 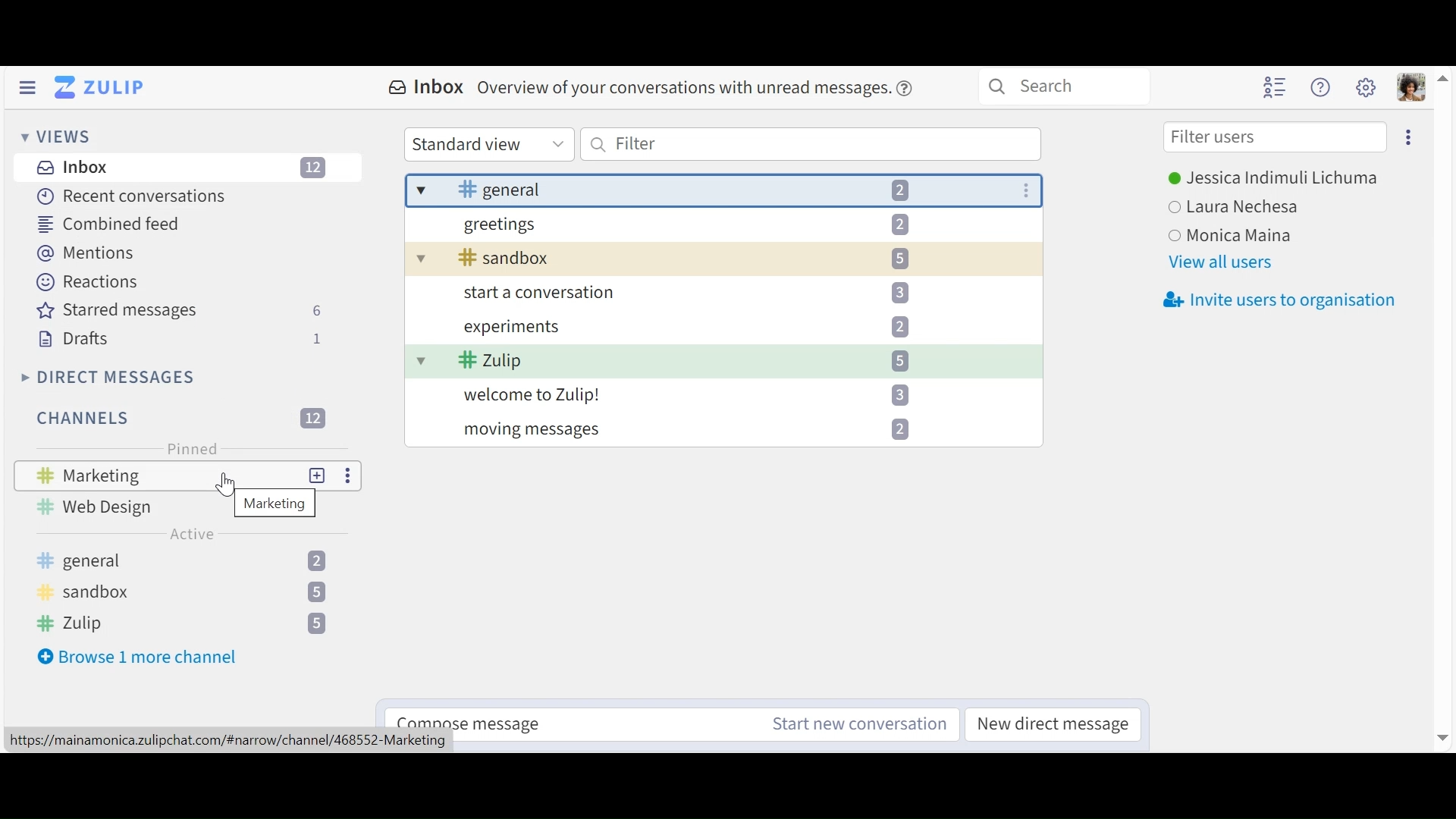 I want to click on Browse more channel, so click(x=137, y=657).